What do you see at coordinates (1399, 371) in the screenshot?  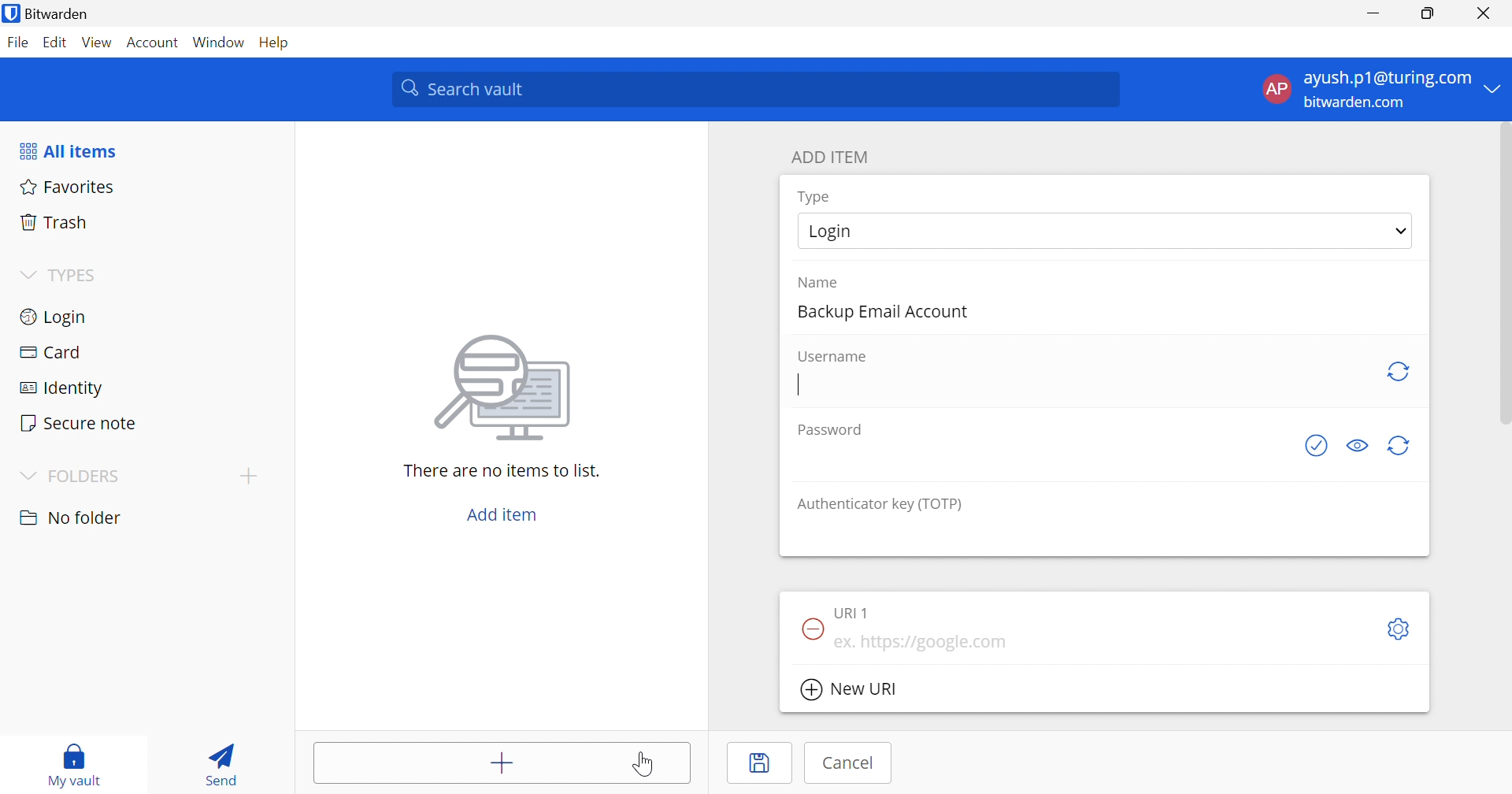 I see `Generate password` at bounding box center [1399, 371].